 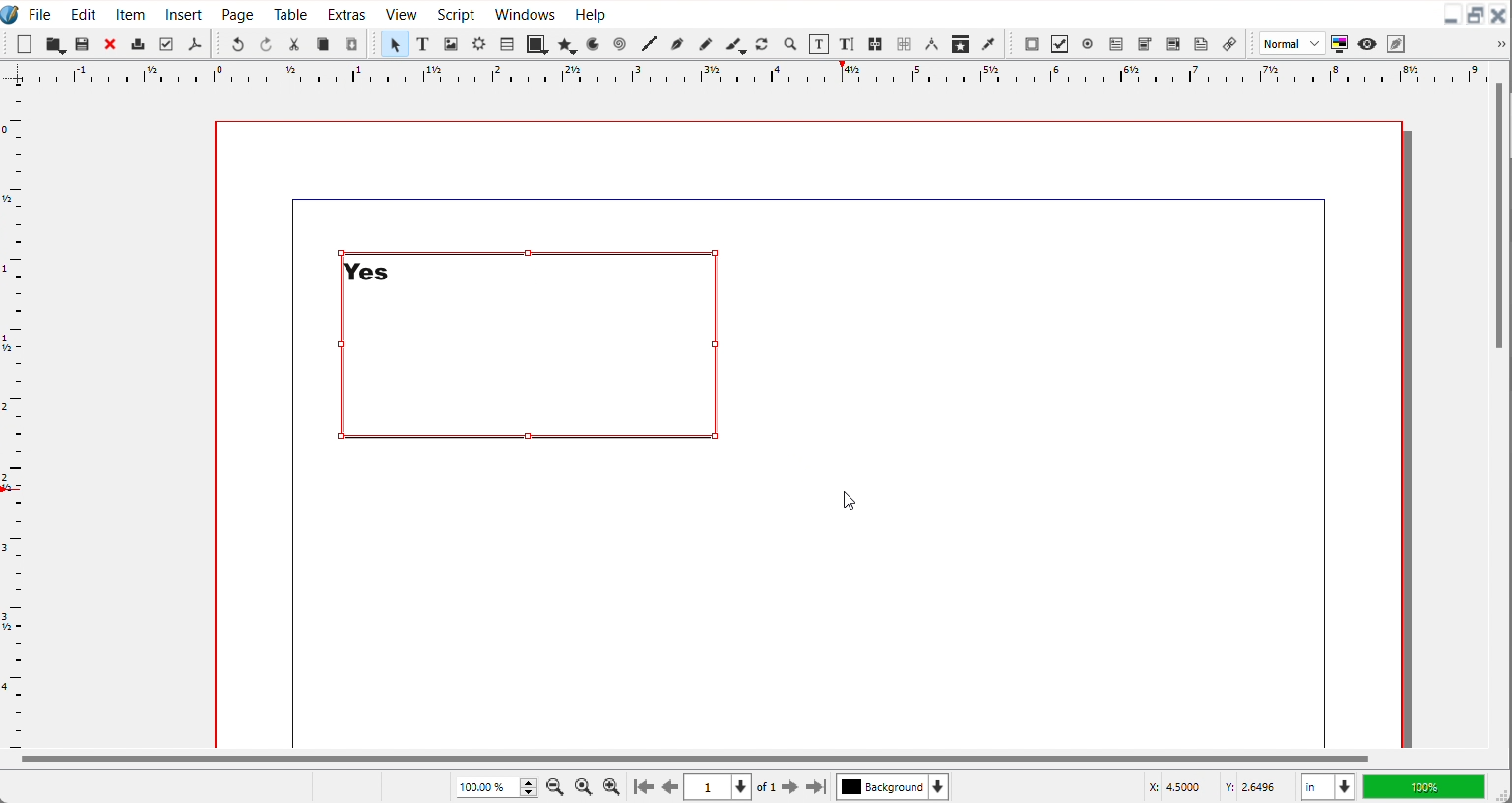 I want to click on Edit content with frame, so click(x=819, y=44).